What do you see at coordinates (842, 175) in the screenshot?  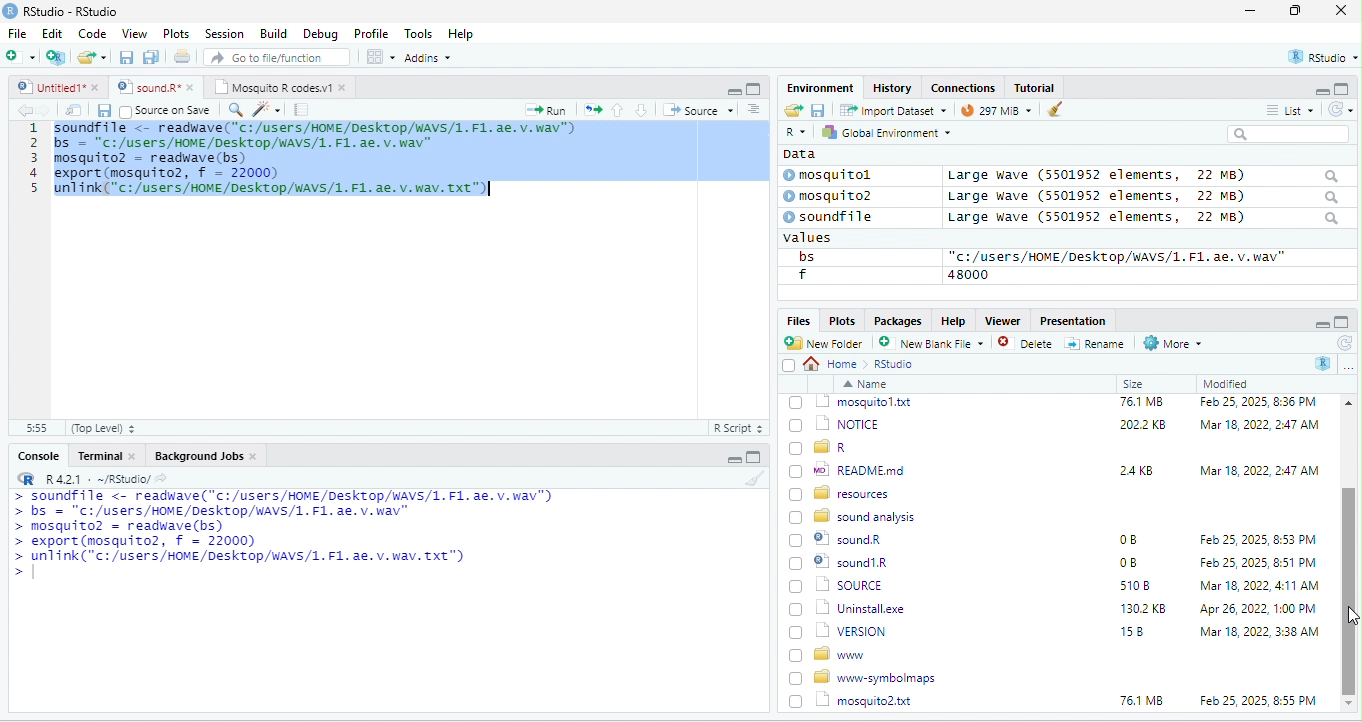 I see `© mosquitol` at bounding box center [842, 175].